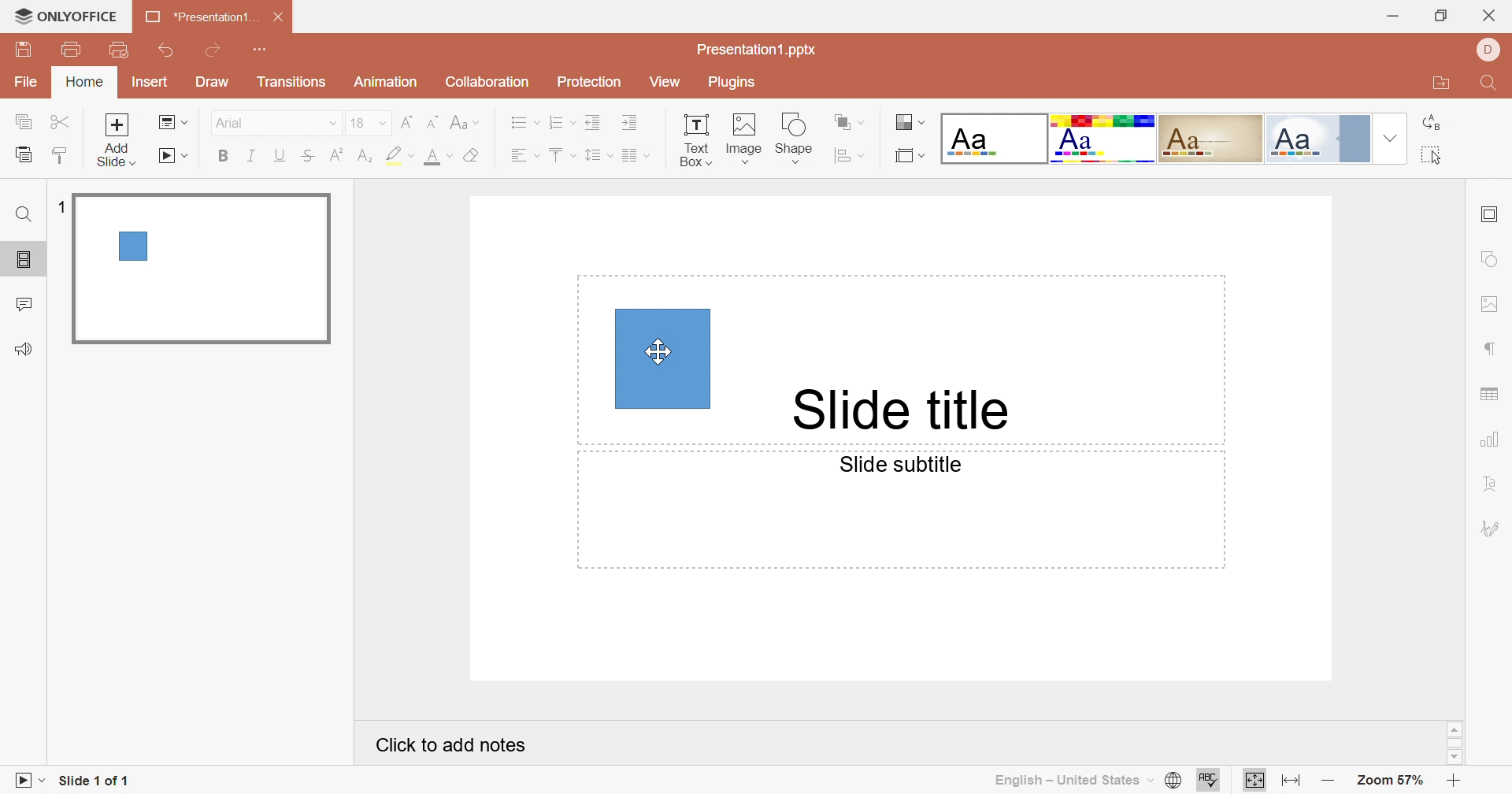  Describe the element at coordinates (913, 469) in the screenshot. I see `Slide subtitles` at that location.